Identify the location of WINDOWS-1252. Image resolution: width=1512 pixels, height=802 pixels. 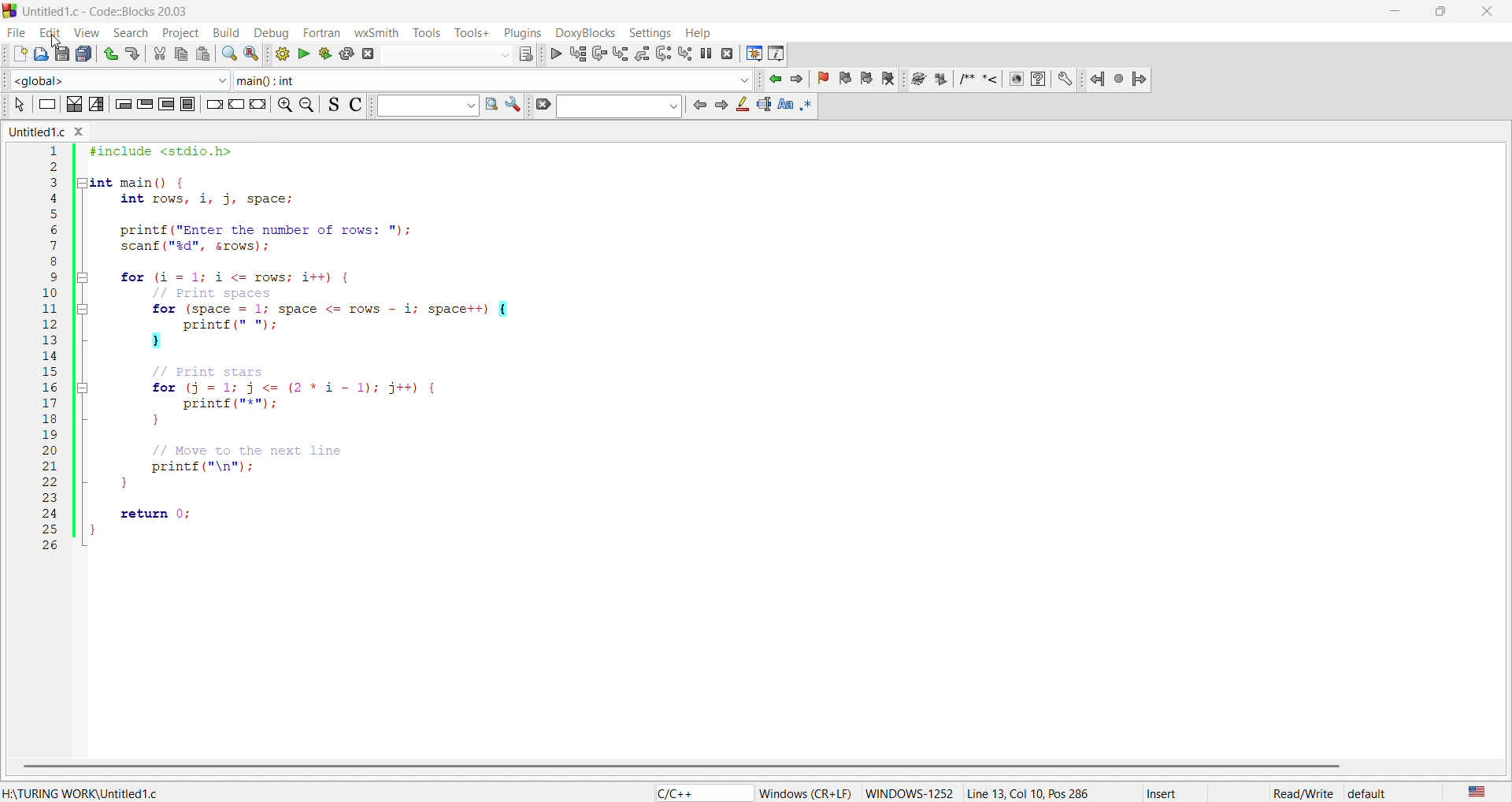
(910, 790).